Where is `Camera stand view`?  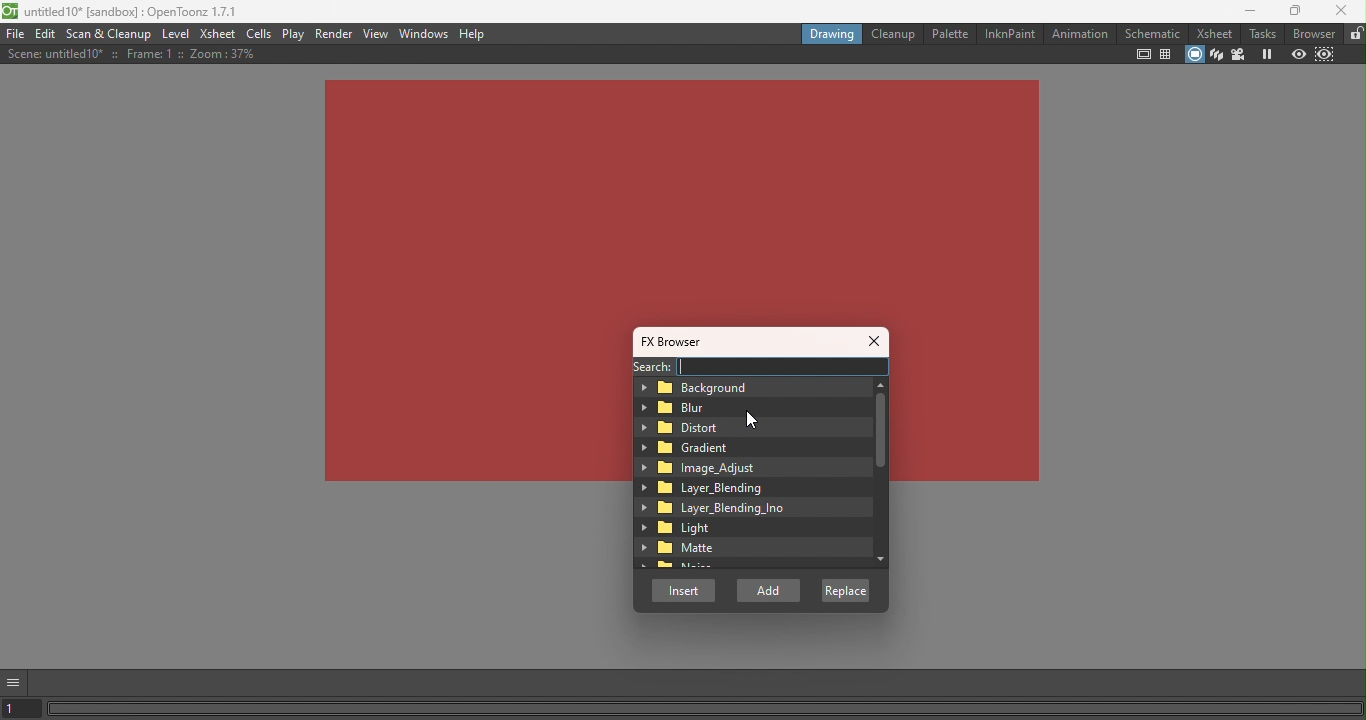
Camera stand view is located at coordinates (1193, 56).